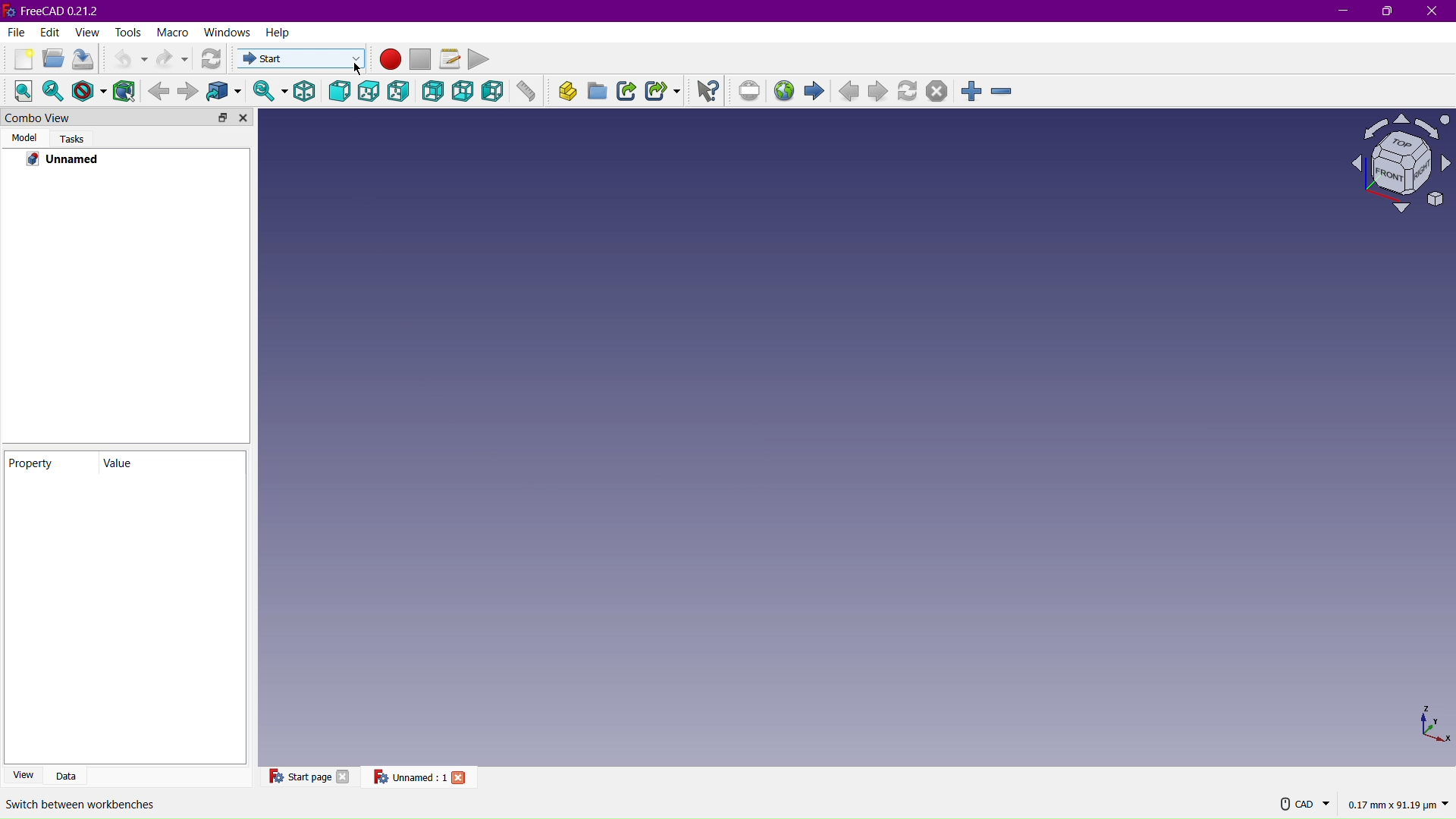 The width and height of the screenshot is (1456, 819). I want to click on close, so click(244, 118).